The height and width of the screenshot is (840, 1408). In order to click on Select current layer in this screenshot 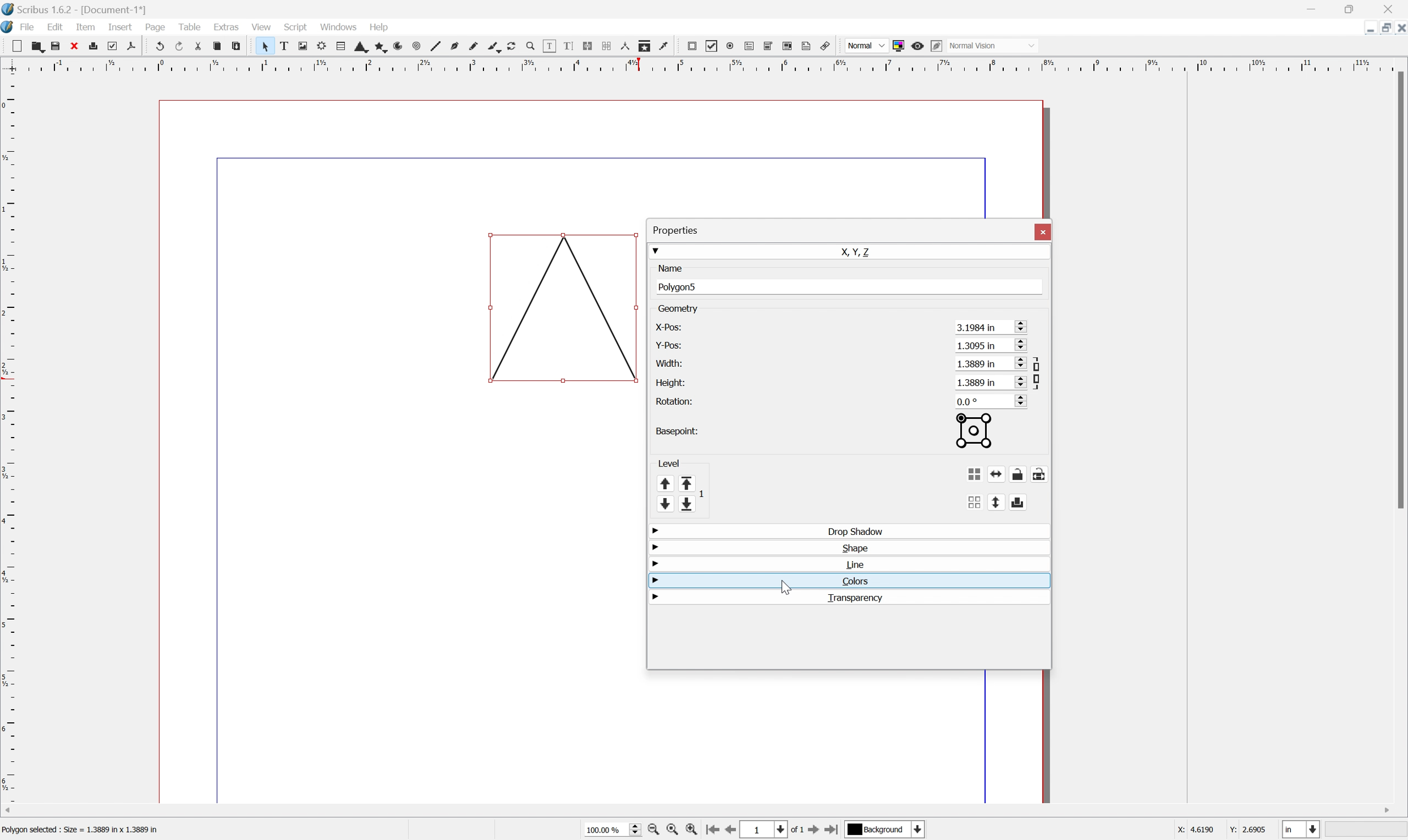, I will do `click(920, 830)`.